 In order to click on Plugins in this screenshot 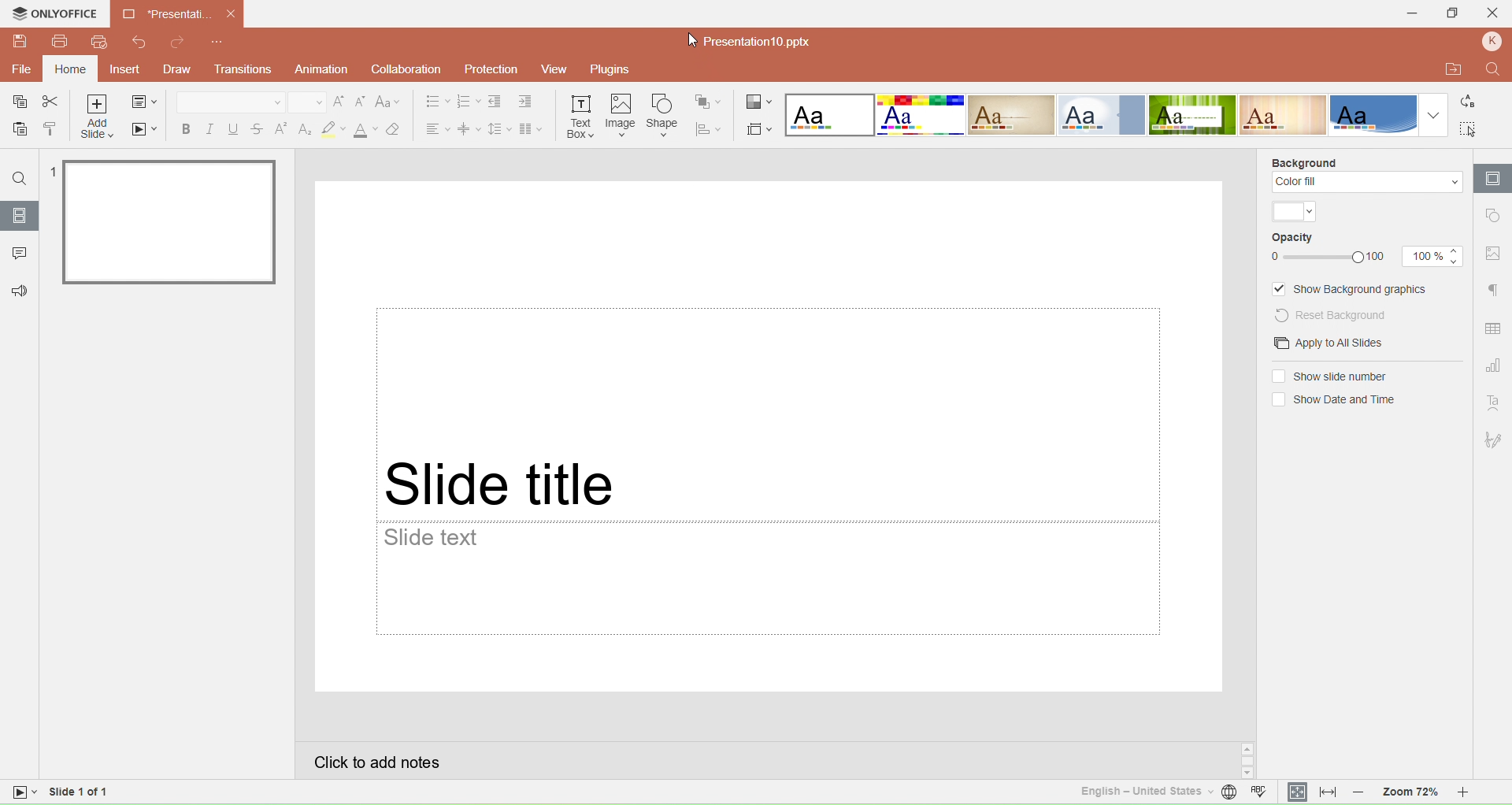, I will do `click(617, 70)`.